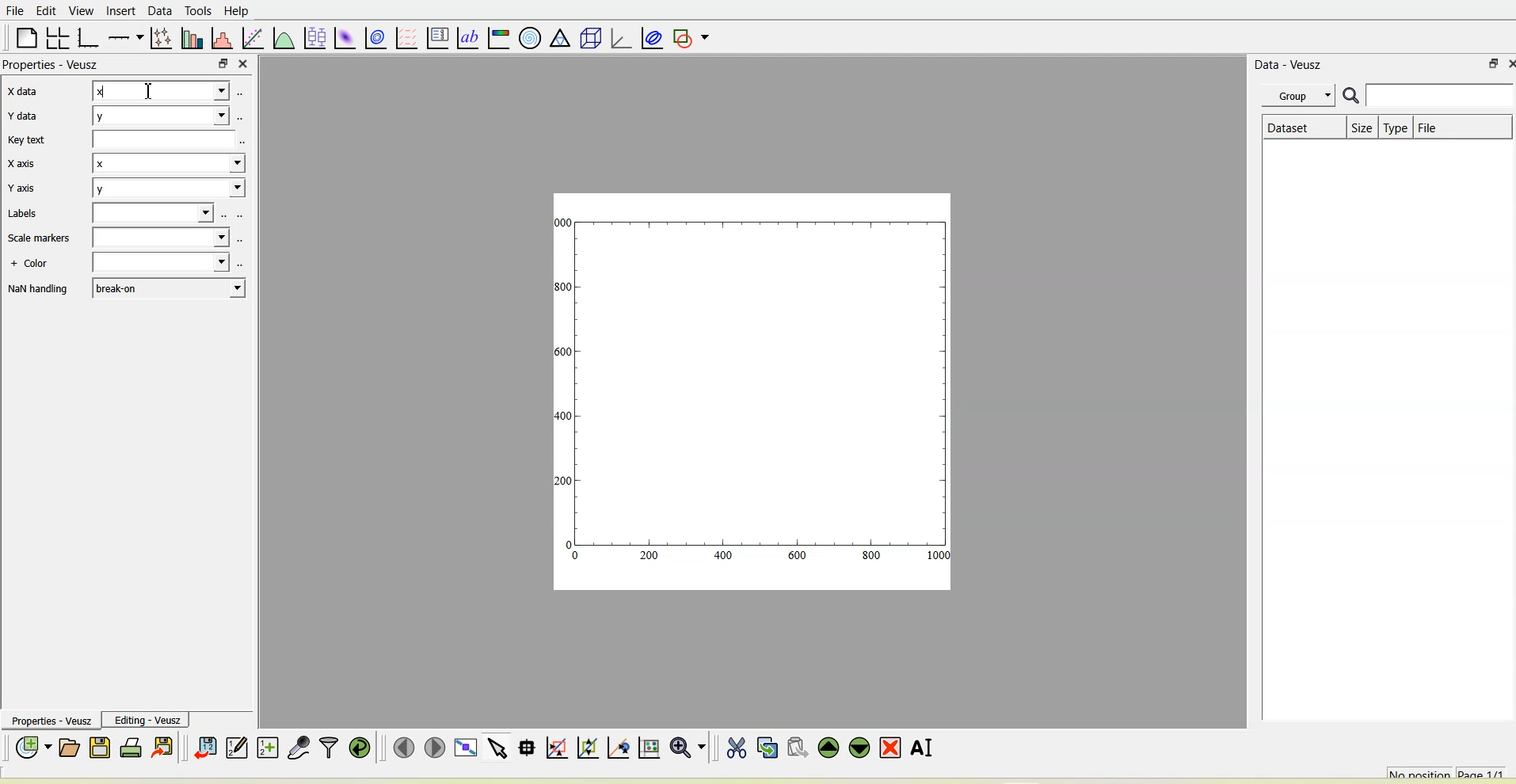 This screenshot has width=1516, height=784. What do you see at coordinates (1487, 772) in the screenshot?
I see `Page 1/1` at bounding box center [1487, 772].